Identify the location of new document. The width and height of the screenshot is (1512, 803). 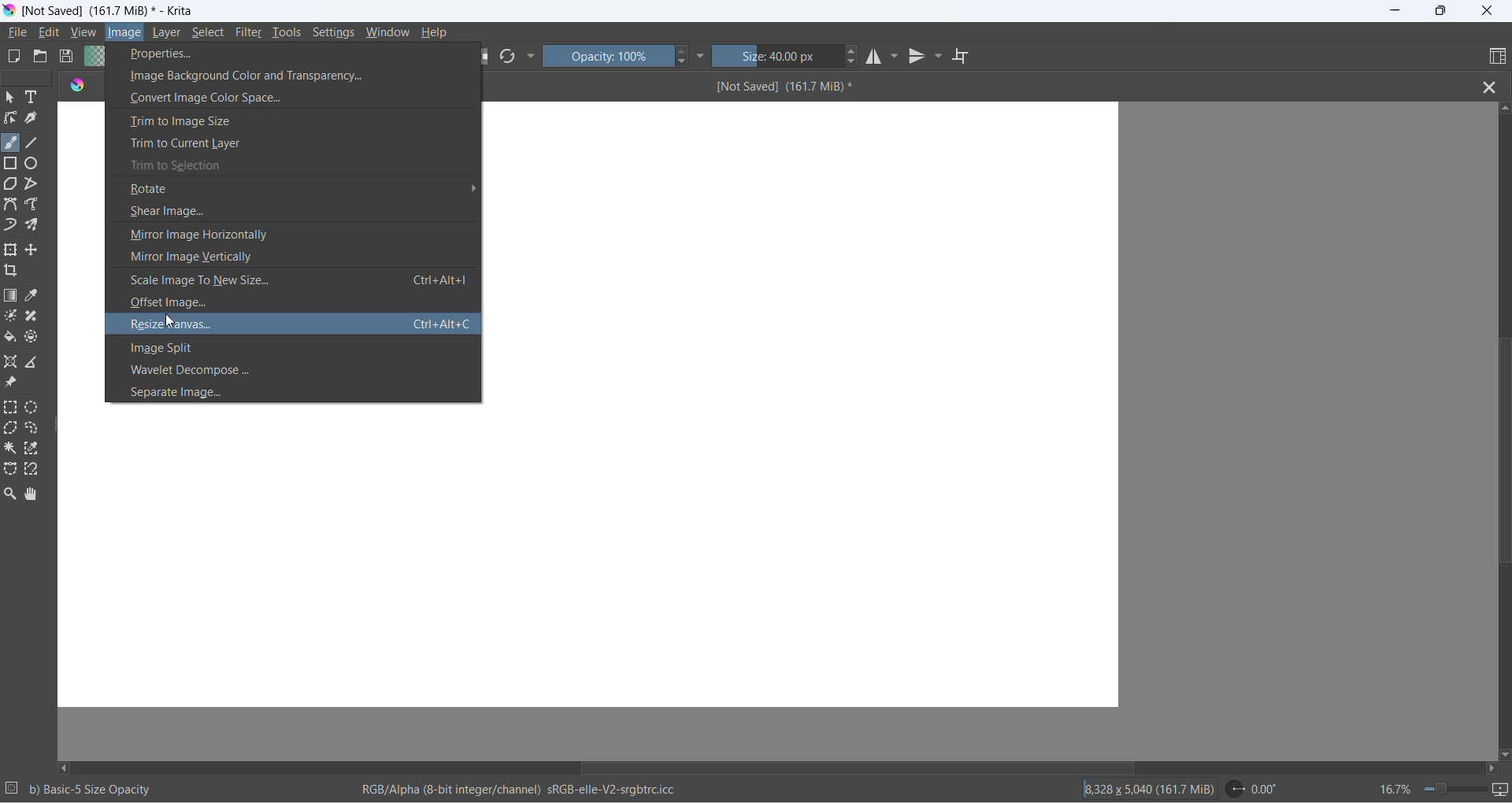
(16, 57).